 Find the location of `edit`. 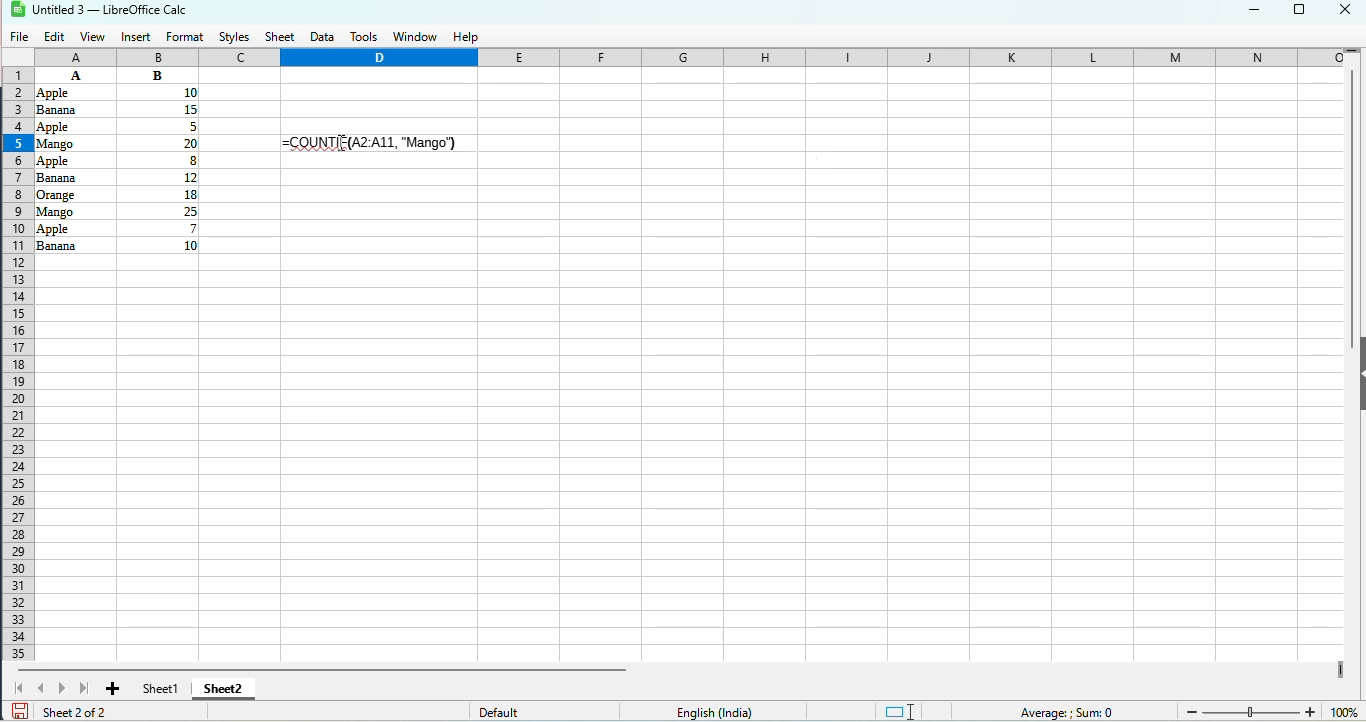

edit is located at coordinates (55, 37).